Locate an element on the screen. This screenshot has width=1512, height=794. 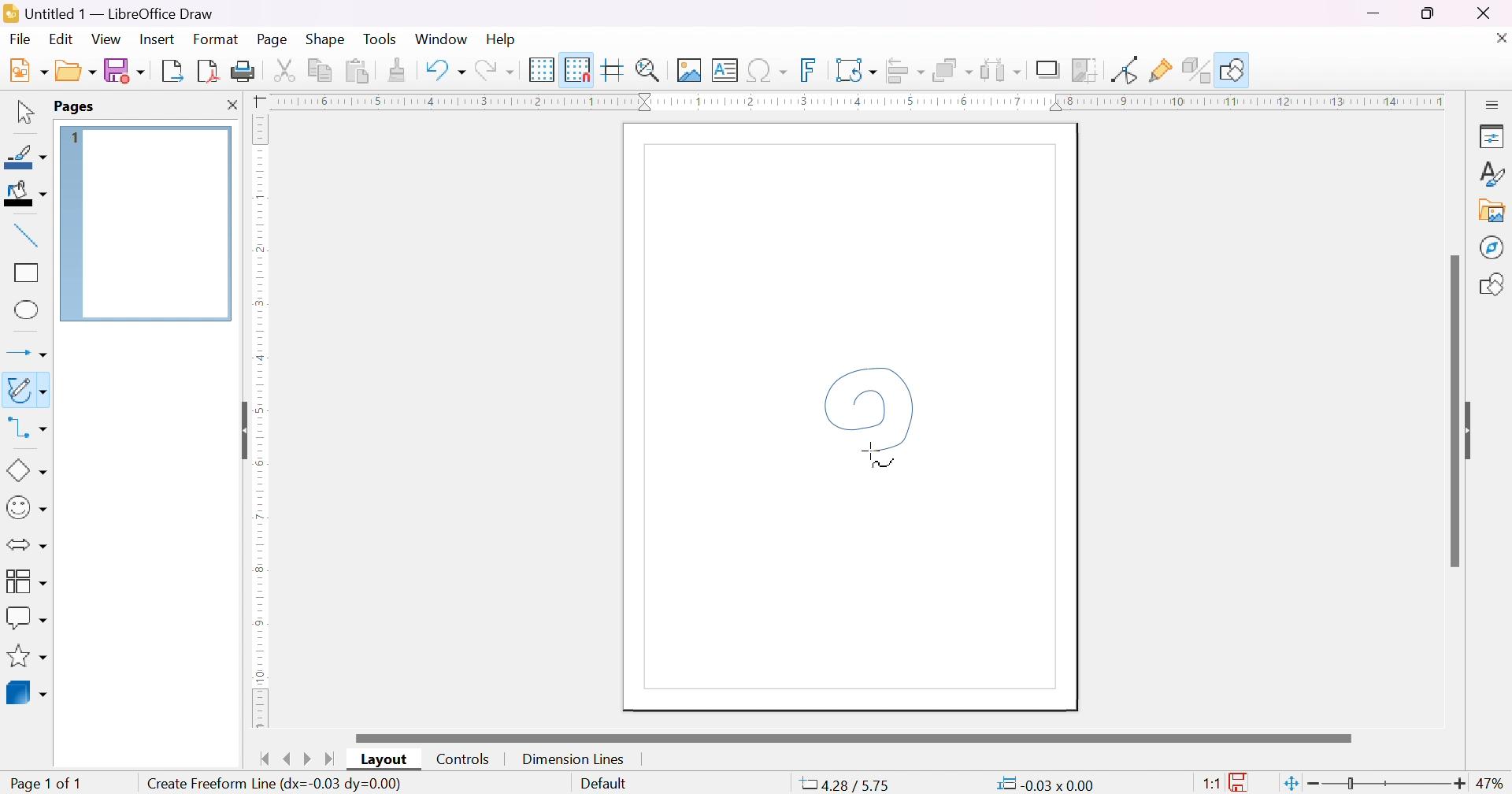
export directly as PDF is located at coordinates (210, 72).